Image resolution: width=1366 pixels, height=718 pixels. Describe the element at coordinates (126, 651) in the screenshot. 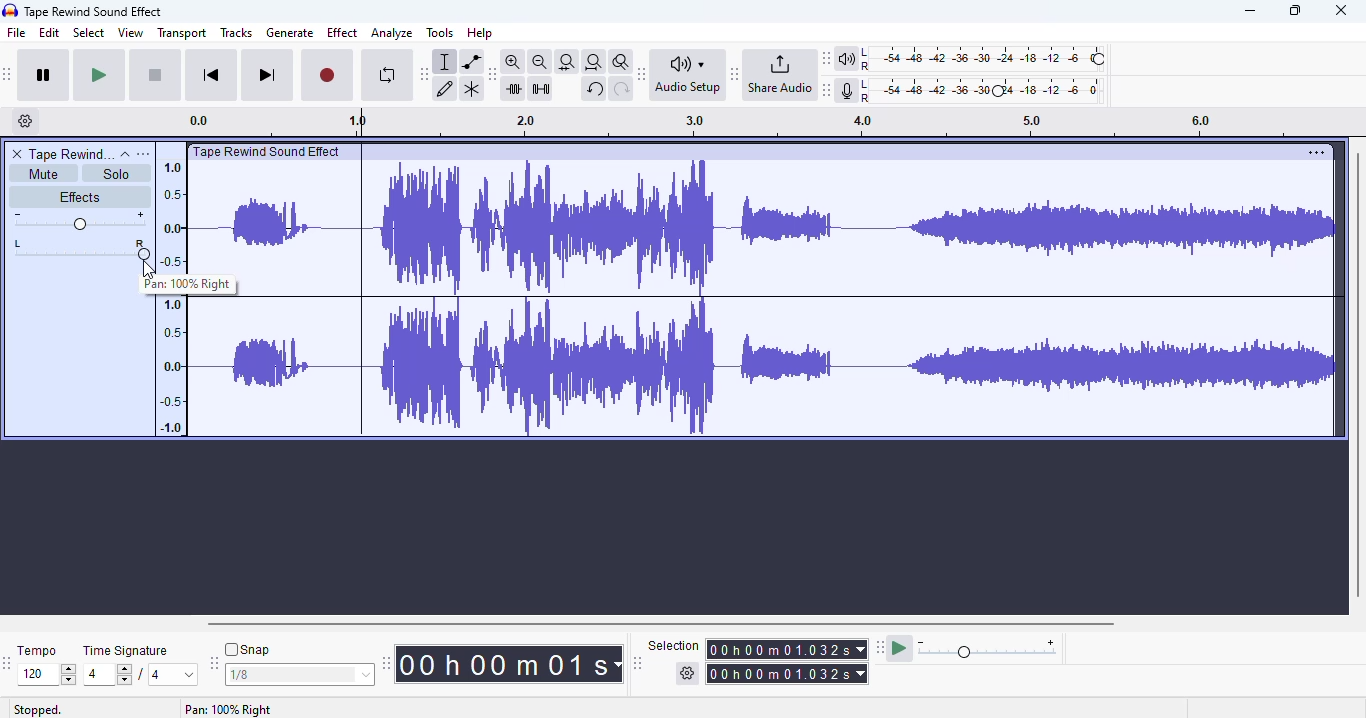

I see `time signature` at that location.